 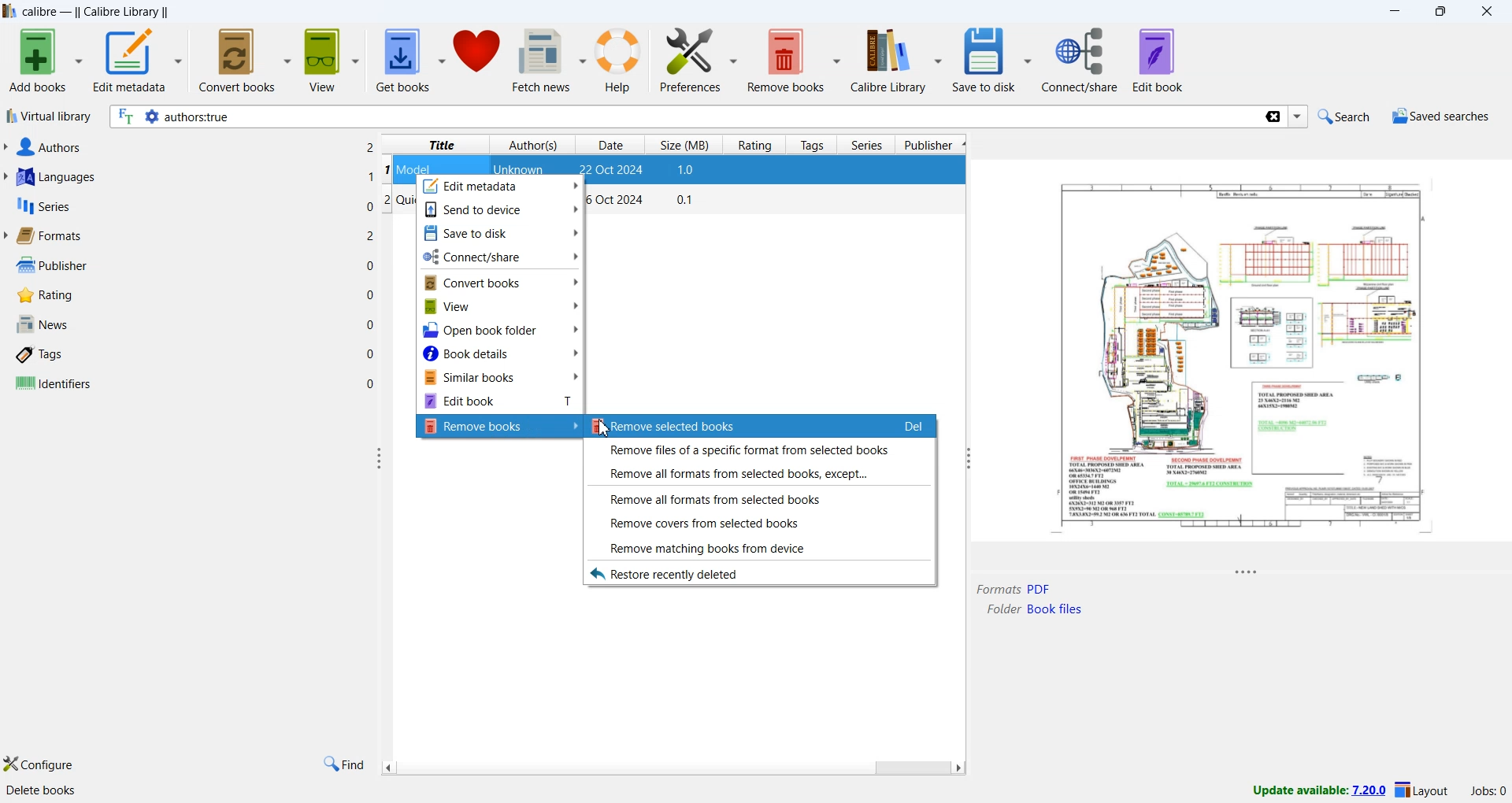 I want to click on date, so click(x=610, y=145).